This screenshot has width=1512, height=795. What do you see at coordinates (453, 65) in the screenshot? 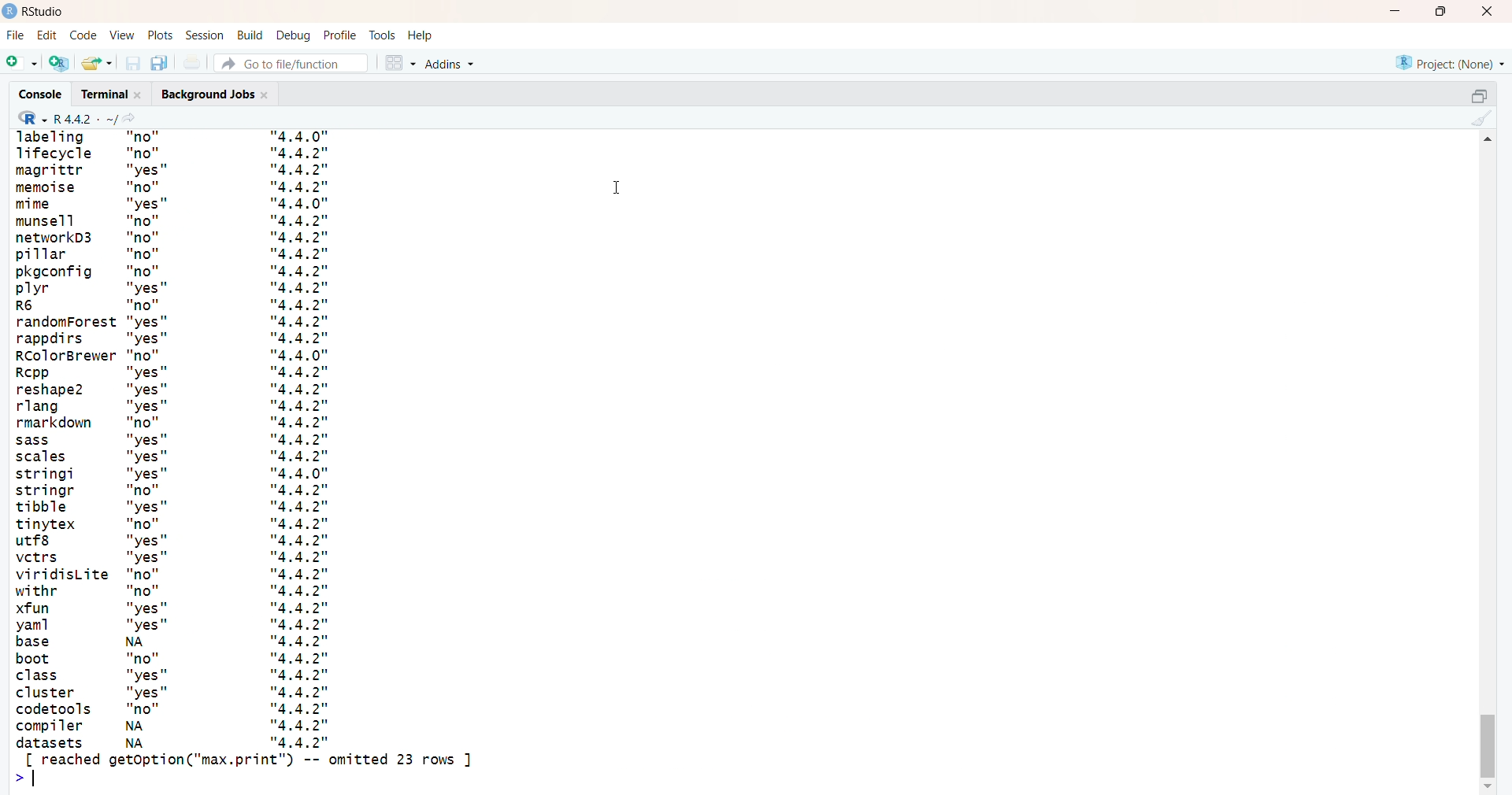
I see `Addins` at bounding box center [453, 65].